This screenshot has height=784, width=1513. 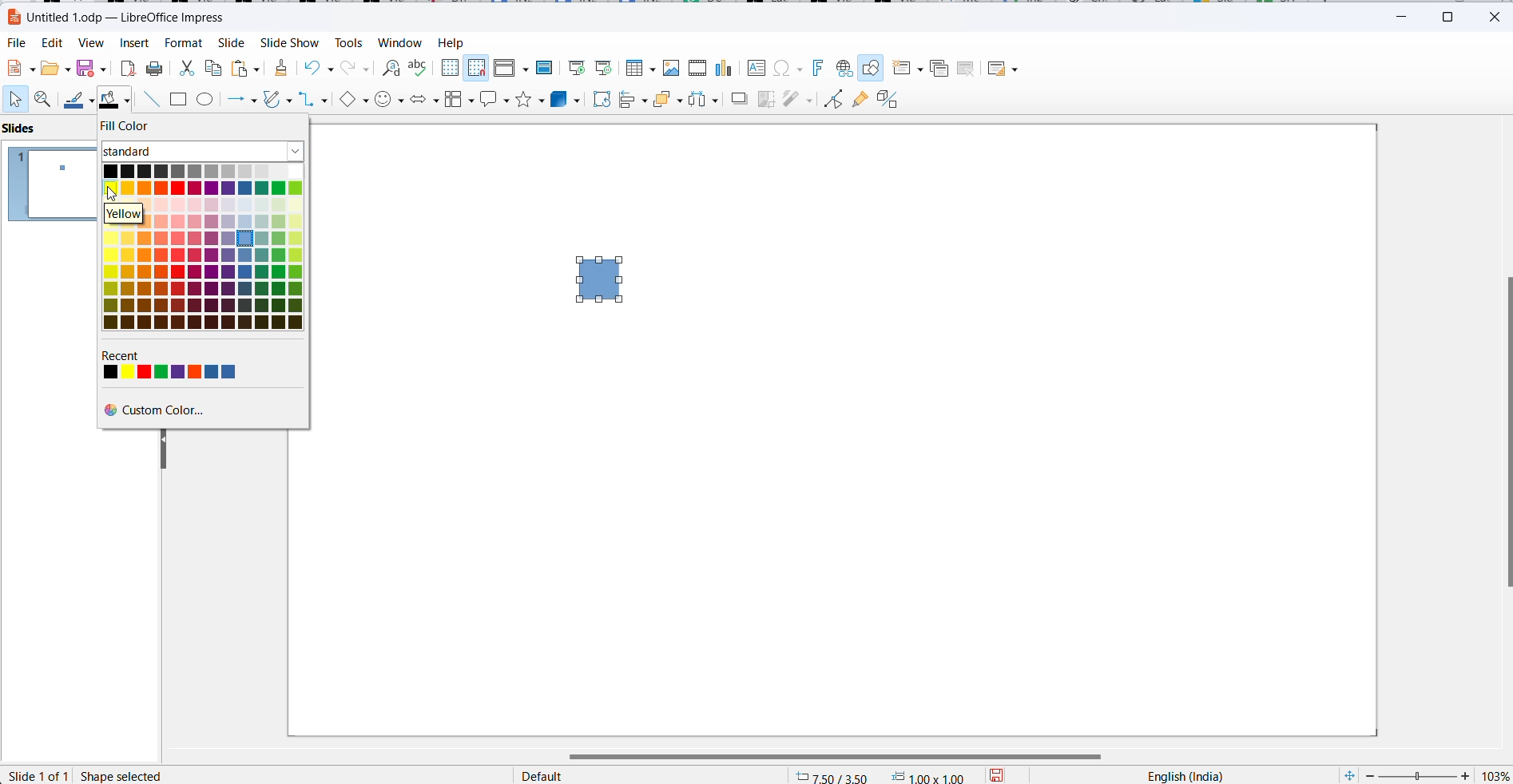 What do you see at coordinates (288, 44) in the screenshot?
I see `slide show` at bounding box center [288, 44].